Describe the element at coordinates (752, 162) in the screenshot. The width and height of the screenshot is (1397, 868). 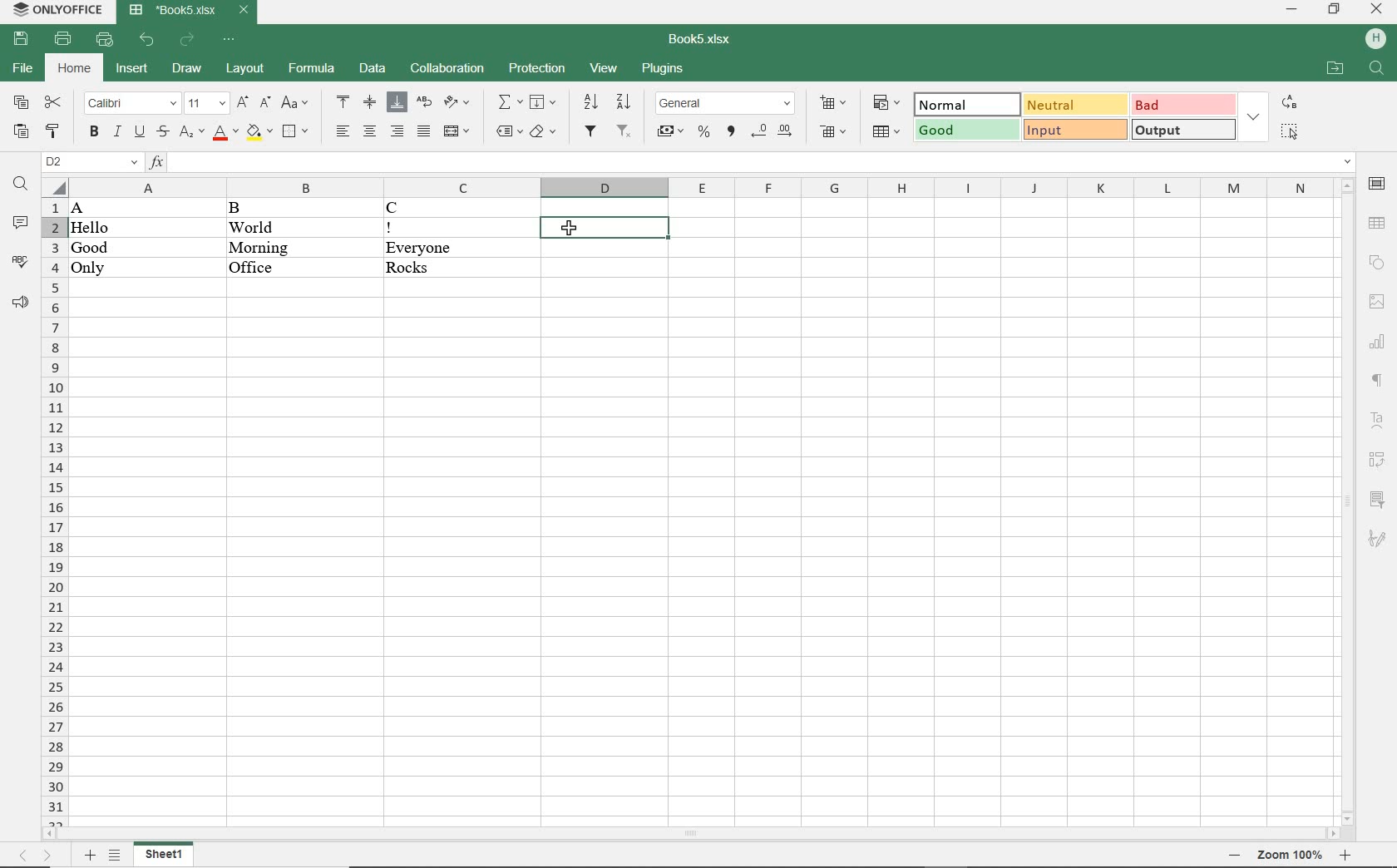
I see `INPUT FUNCTION` at that location.